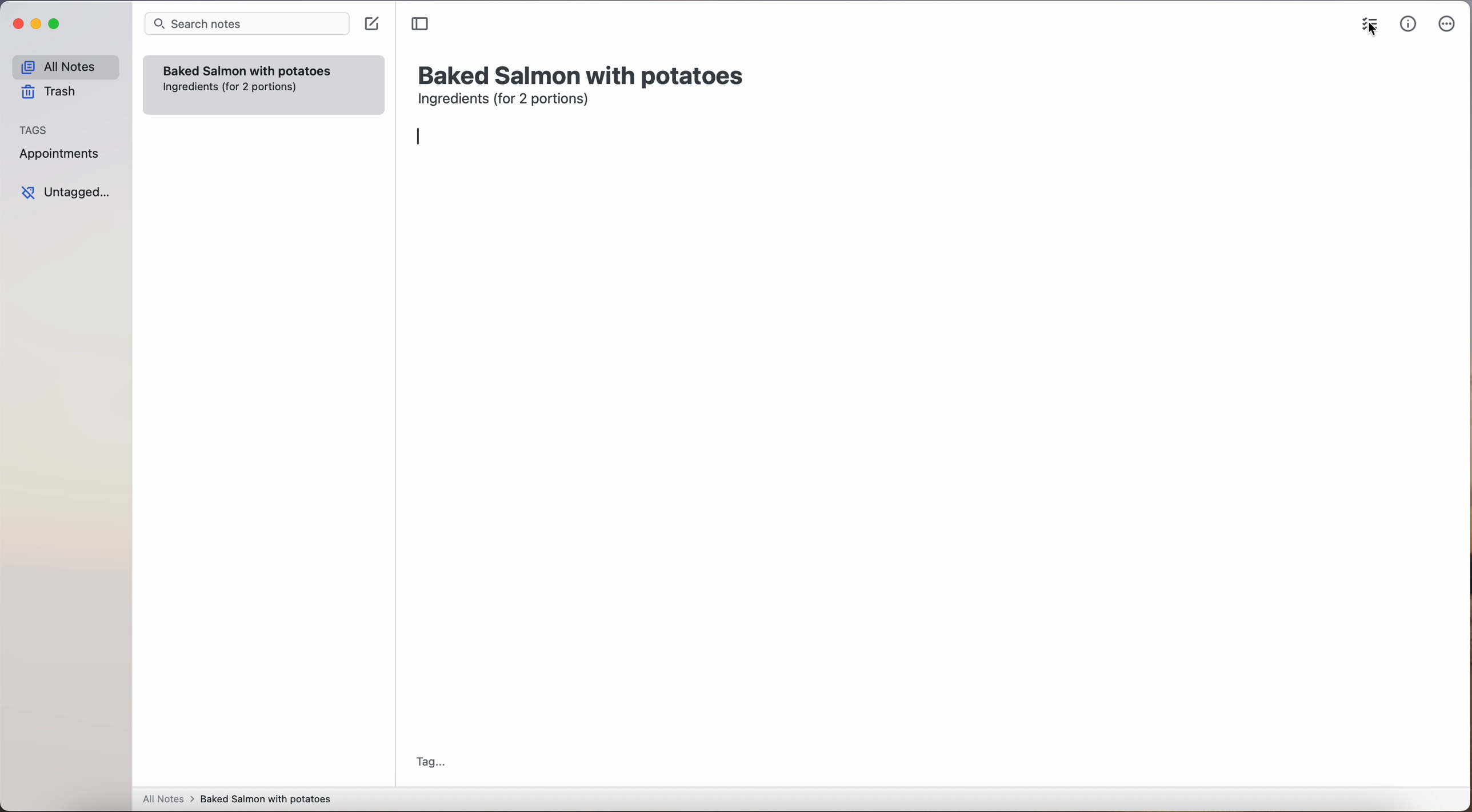  Describe the element at coordinates (61, 151) in the screenshot. I see `appointments tag` at that location.